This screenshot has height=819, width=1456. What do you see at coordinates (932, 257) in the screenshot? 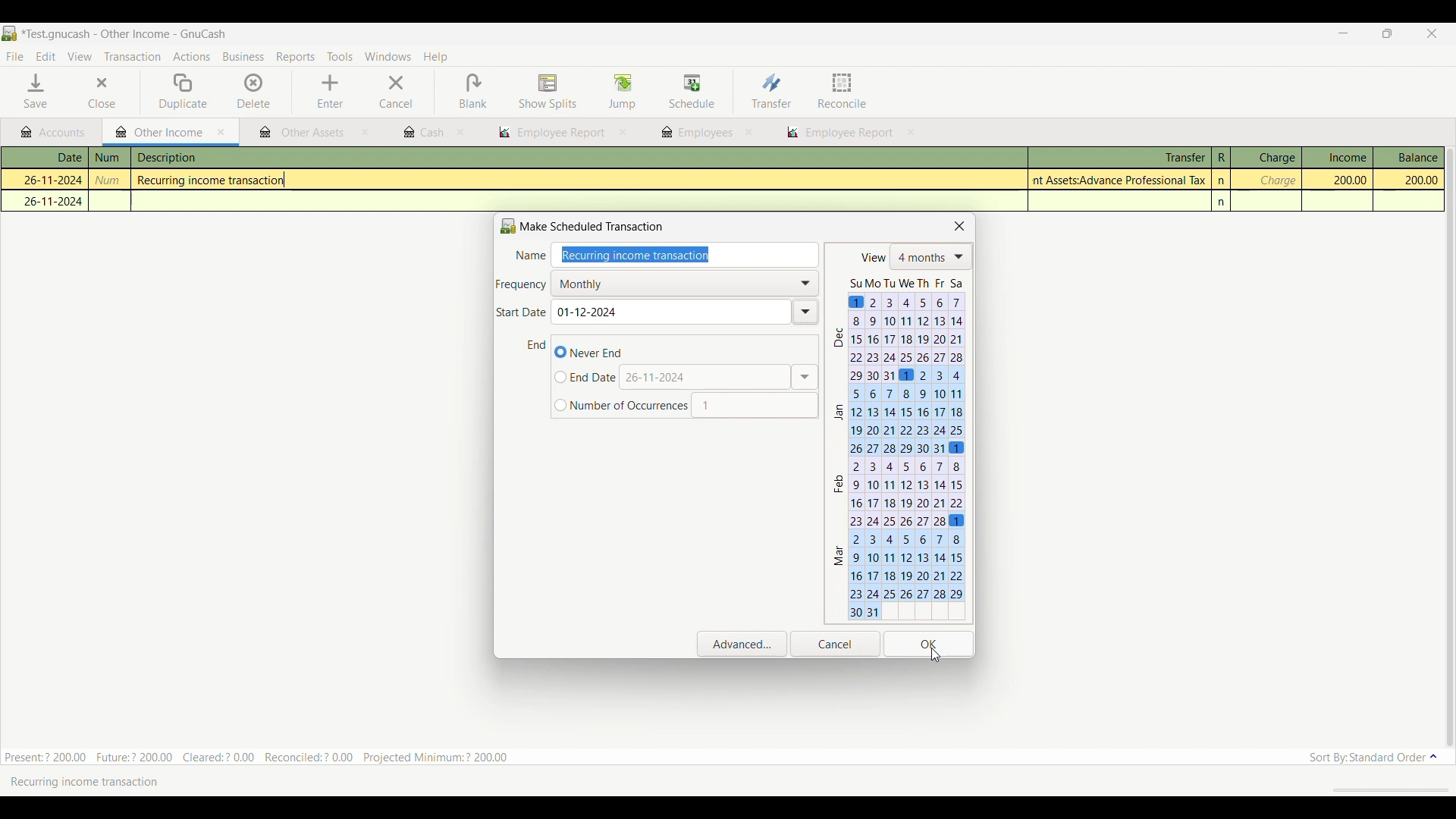
I see `List of number of months shows in calendar below` at bounding box center [932, 257].